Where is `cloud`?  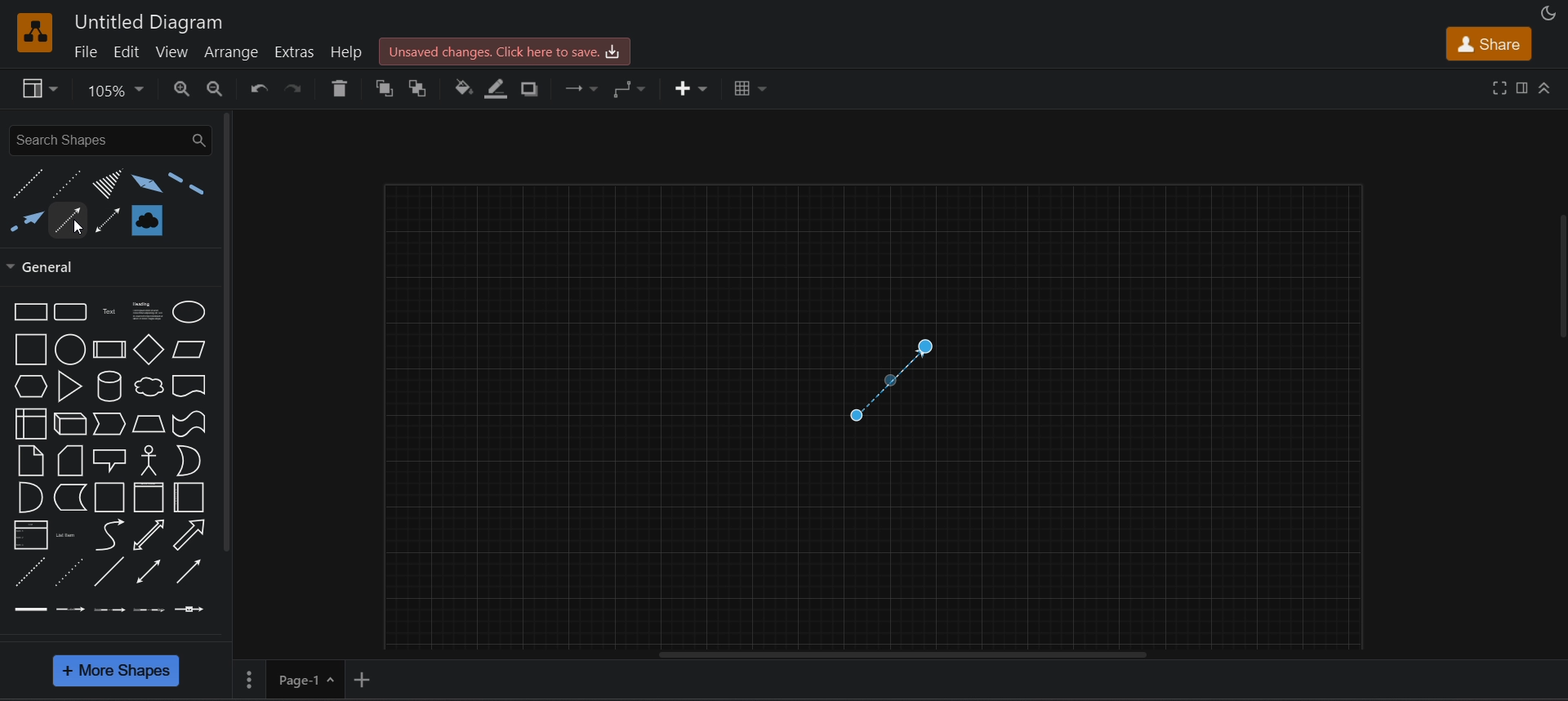 cloud is located at coordinates (148, 386).